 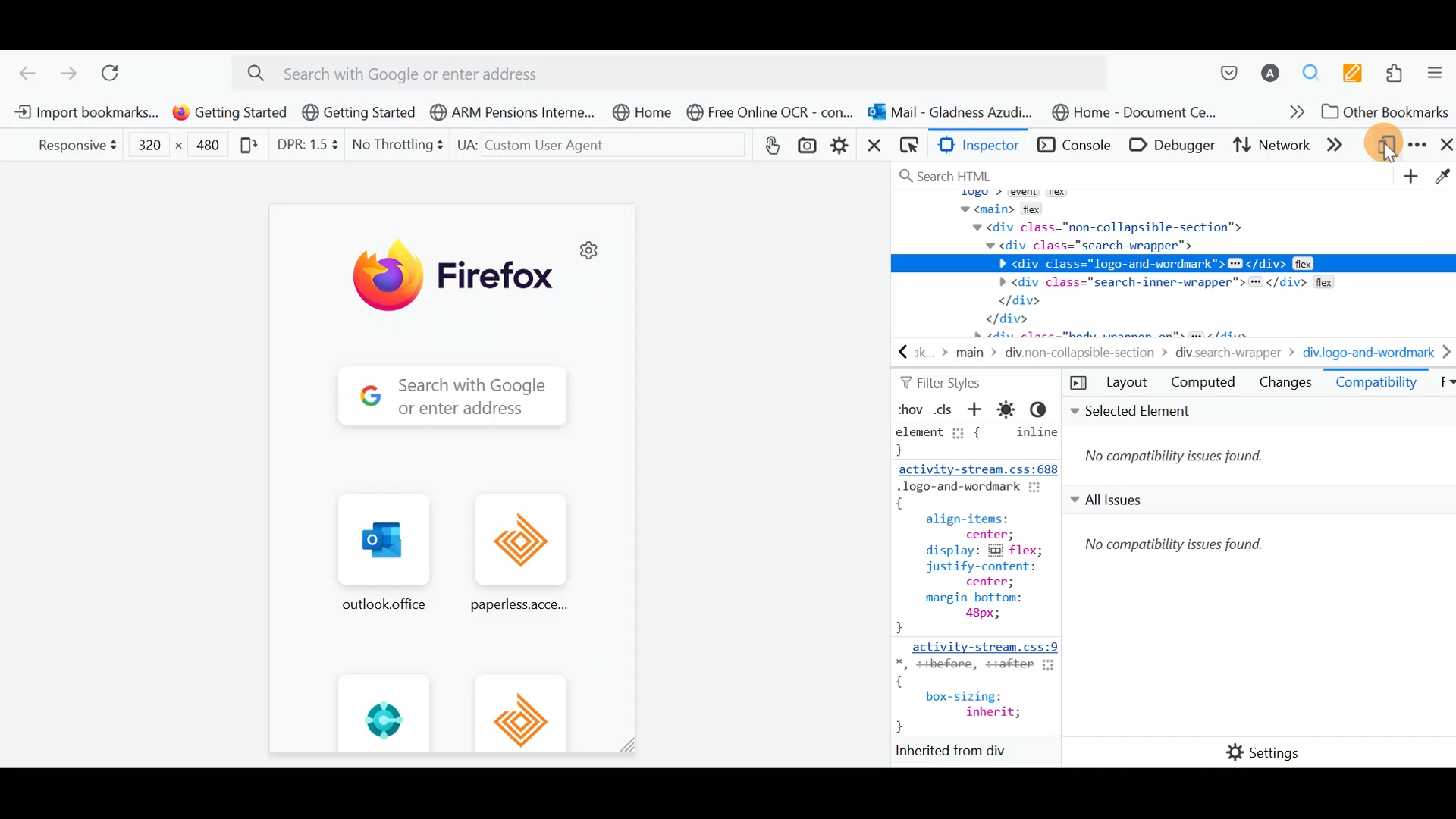 What do you see at coordinates (507, 111) in the screenshot?
I see `Bookmark 4` at bounding box center [507, 111].